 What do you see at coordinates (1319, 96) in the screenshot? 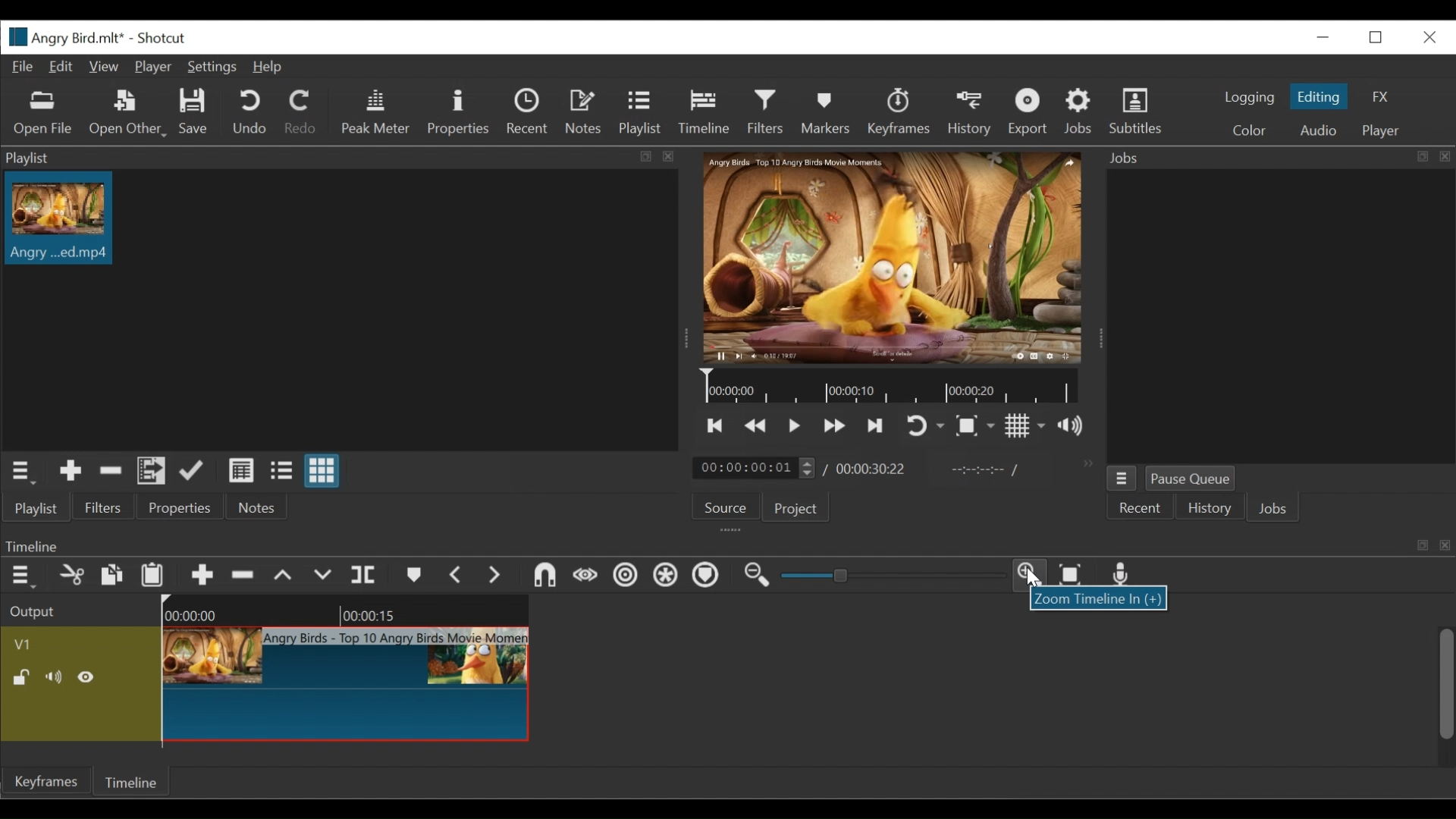
I see `Editing` at bounding box center [1319, 96].